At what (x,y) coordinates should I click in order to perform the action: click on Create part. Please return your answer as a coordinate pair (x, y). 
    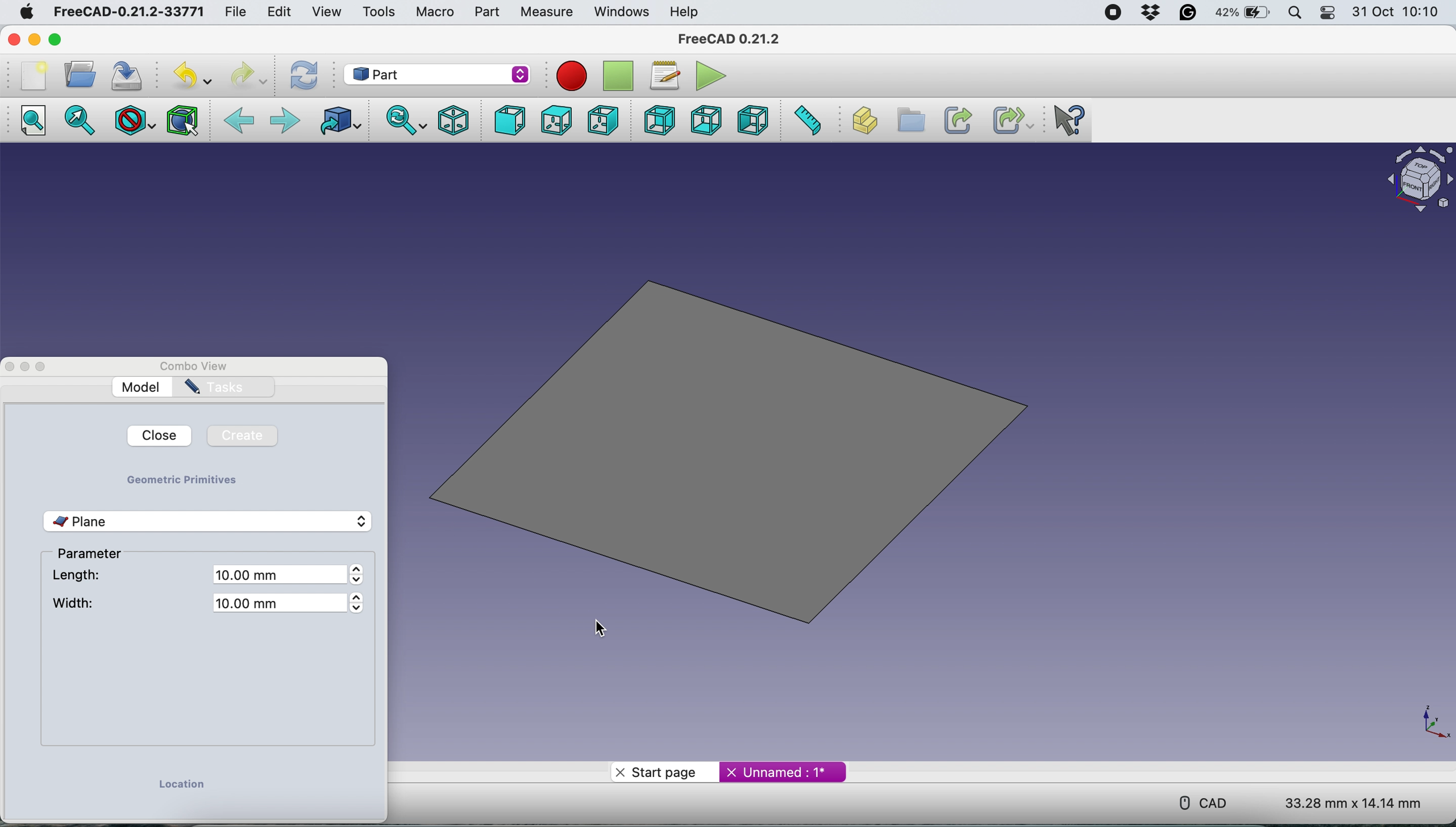
    Looking at the image, I should click on (859, 121).